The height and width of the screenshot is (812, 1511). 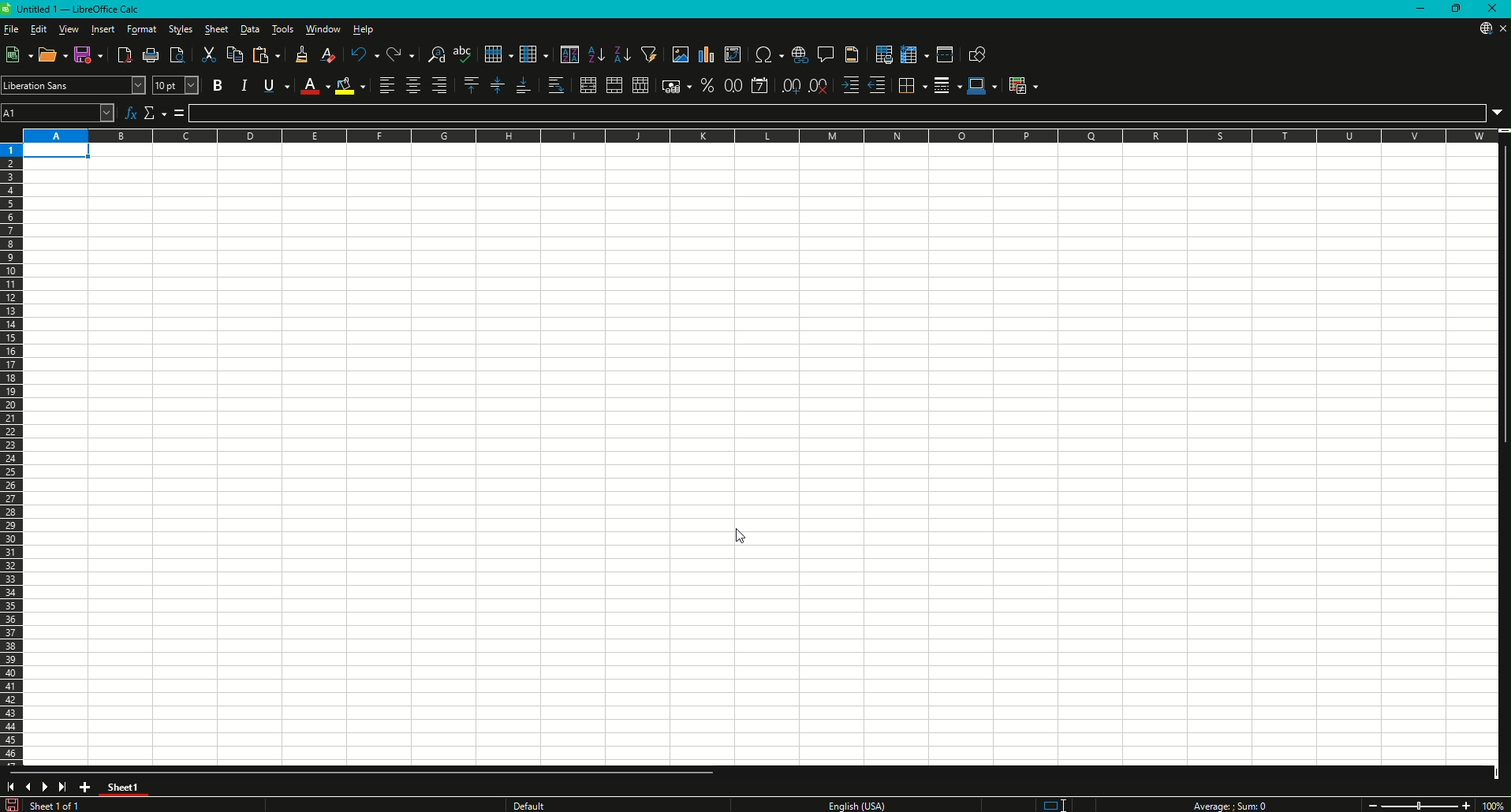 What do you see at coordinates (234, 54) in the screenshot?
I see `Copy` at bounding box center [234, 54].